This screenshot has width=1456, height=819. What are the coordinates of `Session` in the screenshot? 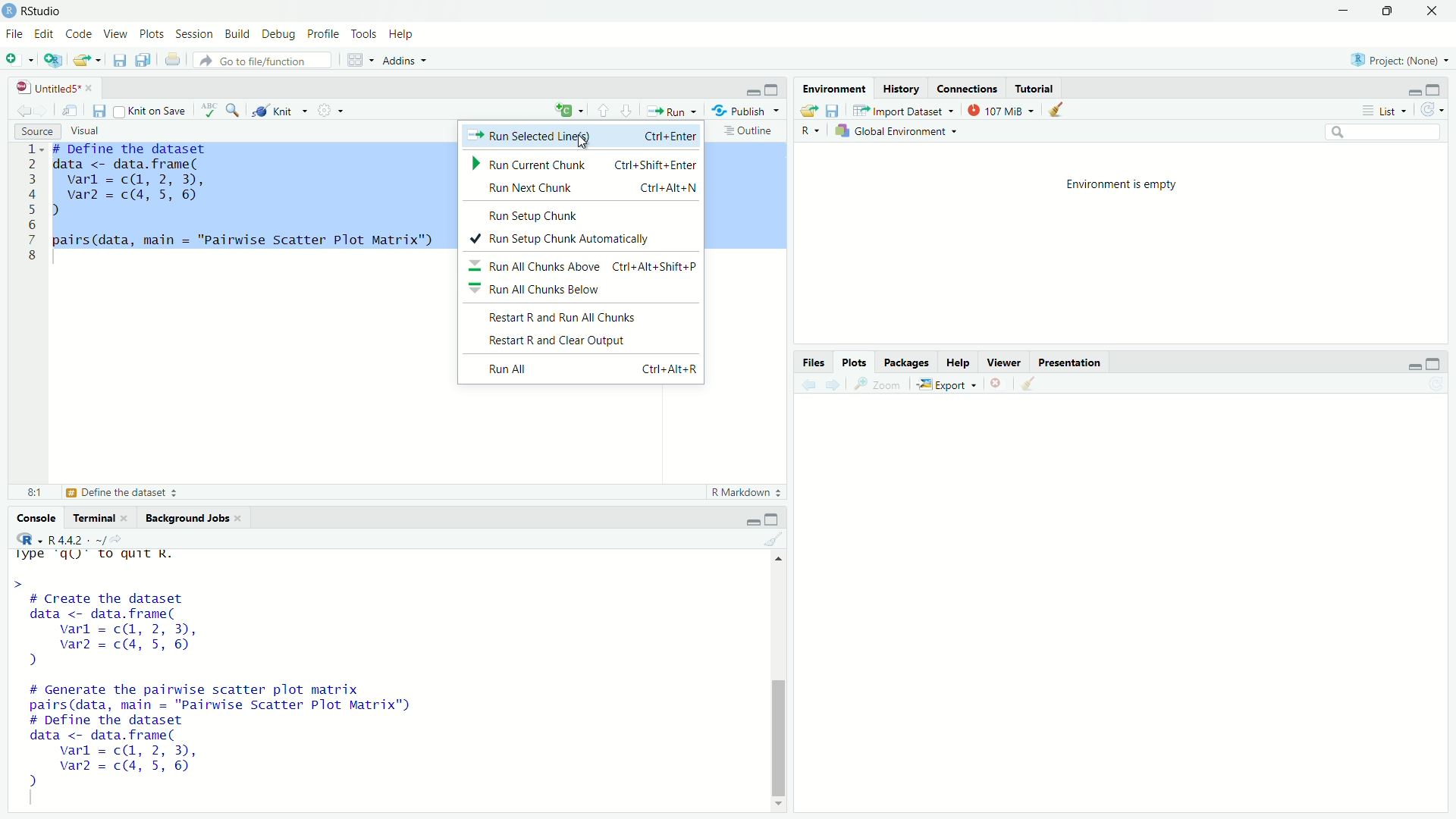 It's located at (194, 33).